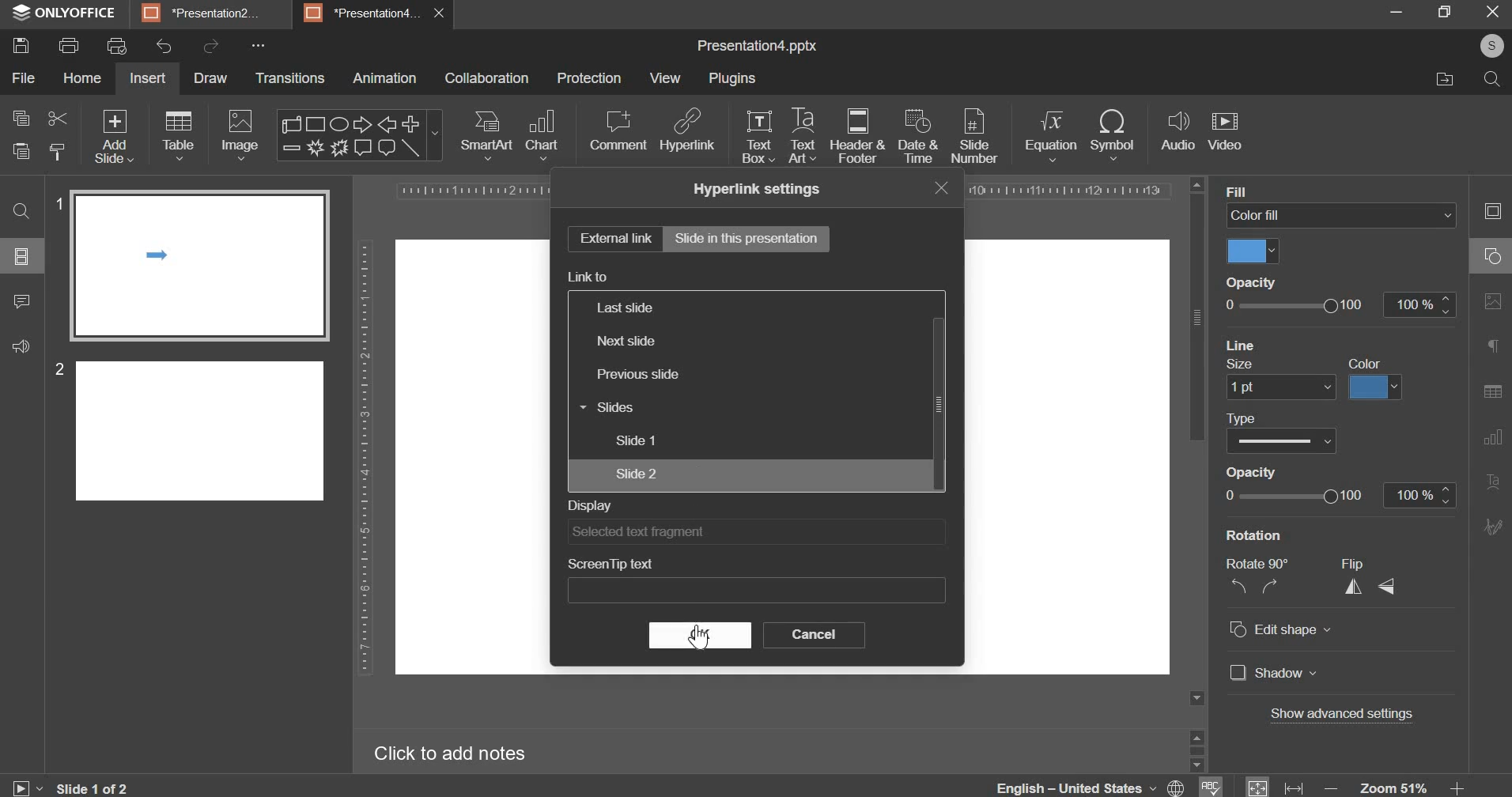 The image size is (1512, 797). What do you see at coordinates (1416, 494) in the screenshot?
I see `100 %` at bounding box center [1416, 494].